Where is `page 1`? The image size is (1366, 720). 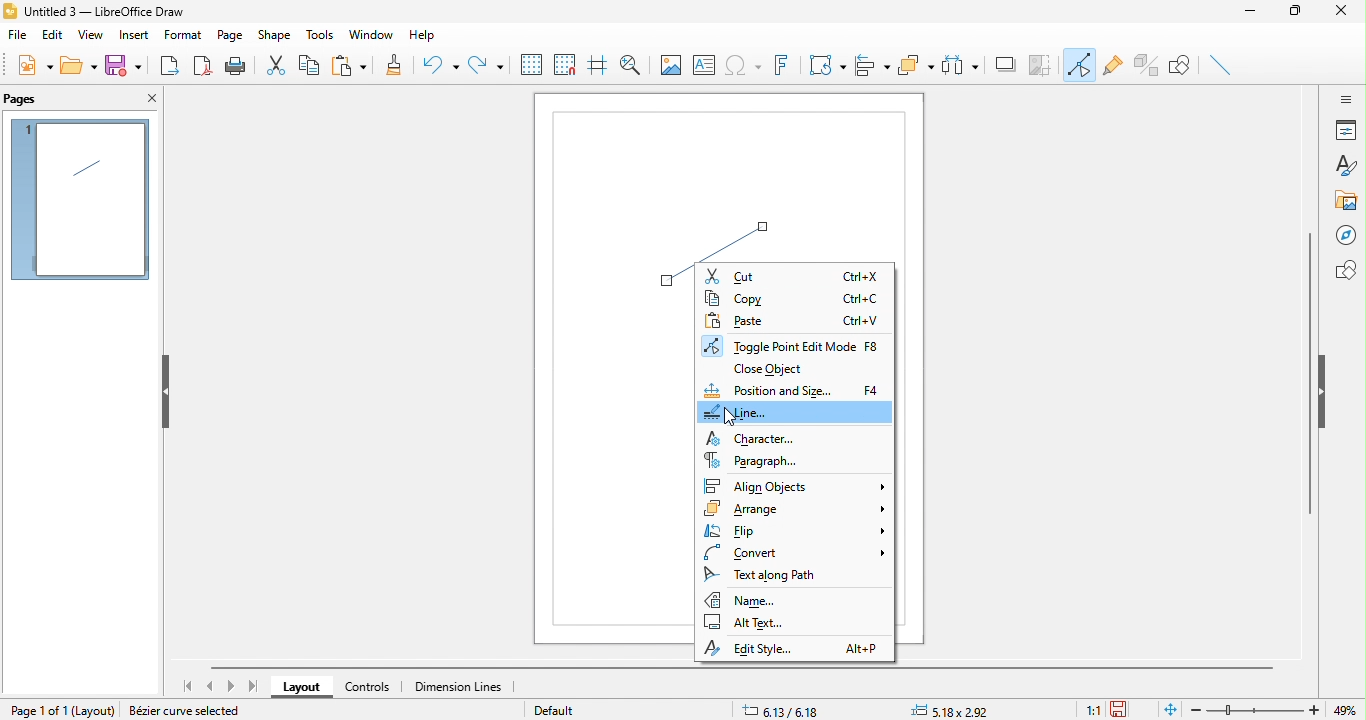
page 1 is located at coordinates (80, 200).